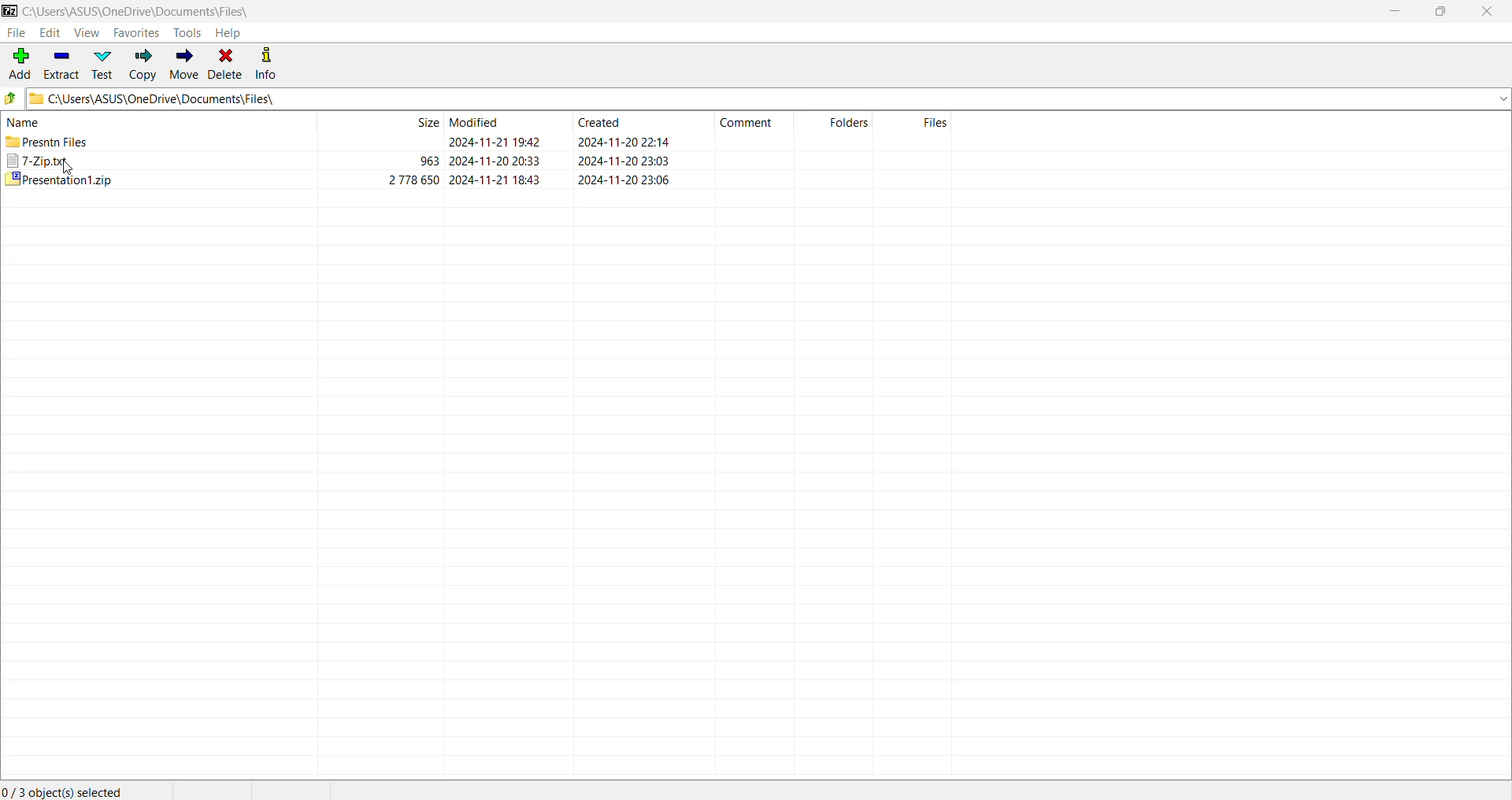 This screenshot has height=800, width=1512. I want to click on presentation1.zip, so click(59, 179).